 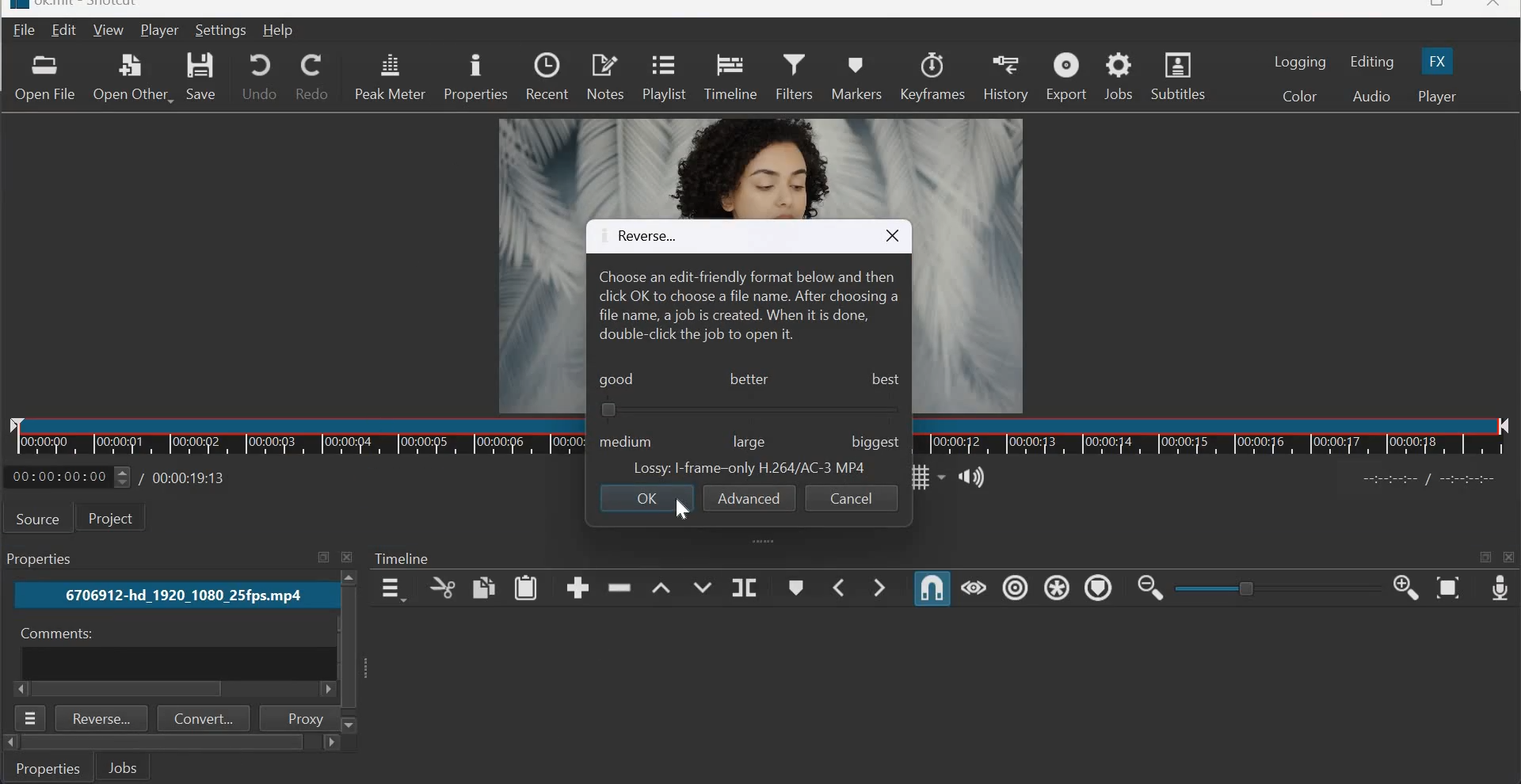 What do you see at coordinates (54, 634) in the screenshot?
I see `comments:` at bounding box center [54, 634].